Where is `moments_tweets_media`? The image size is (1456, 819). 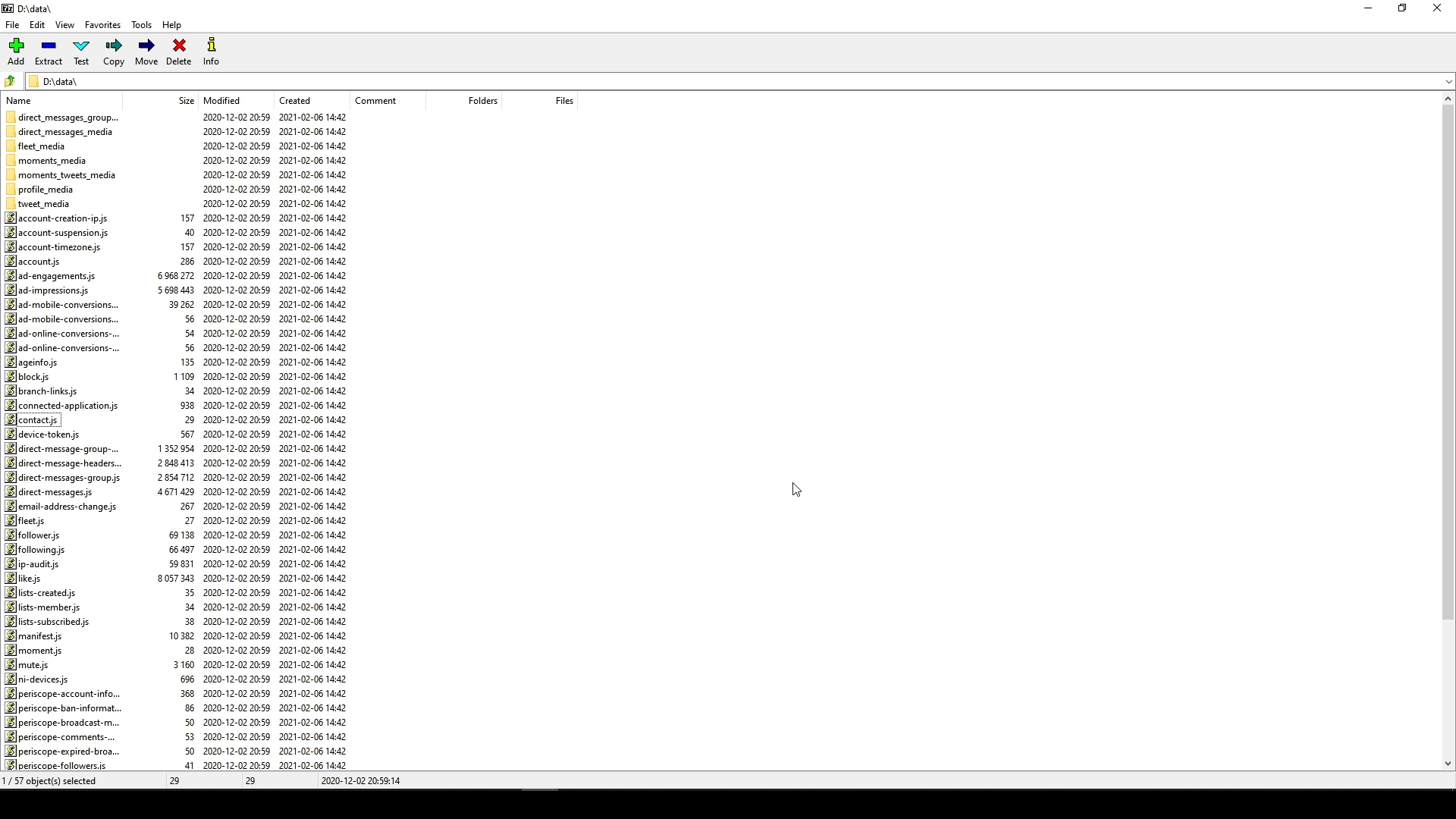 moments_tweets_media is located at coordinates (66, 174).